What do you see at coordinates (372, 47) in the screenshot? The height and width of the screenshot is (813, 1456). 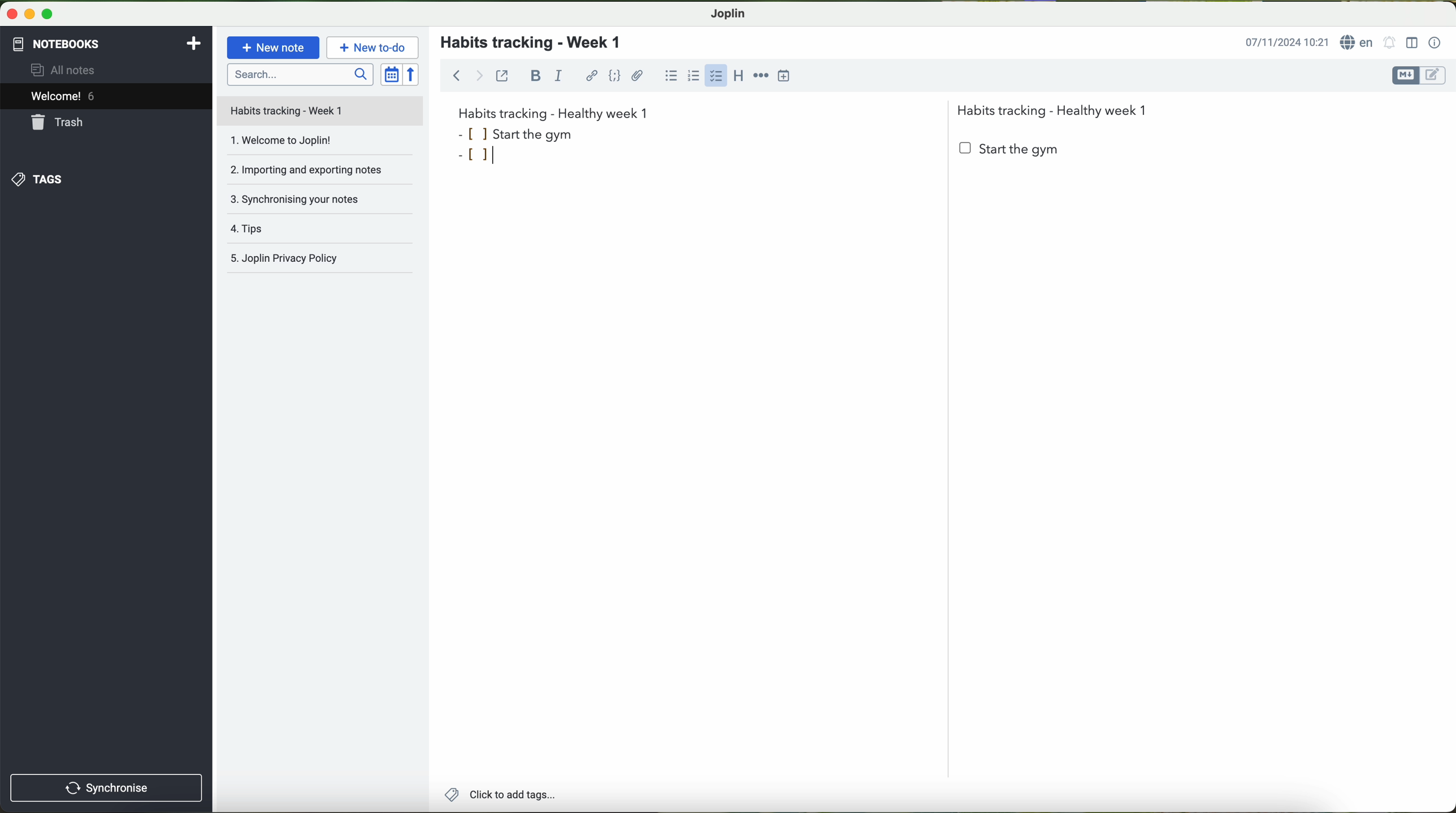 I see `new to-do button` at bounding box center [372, 47].